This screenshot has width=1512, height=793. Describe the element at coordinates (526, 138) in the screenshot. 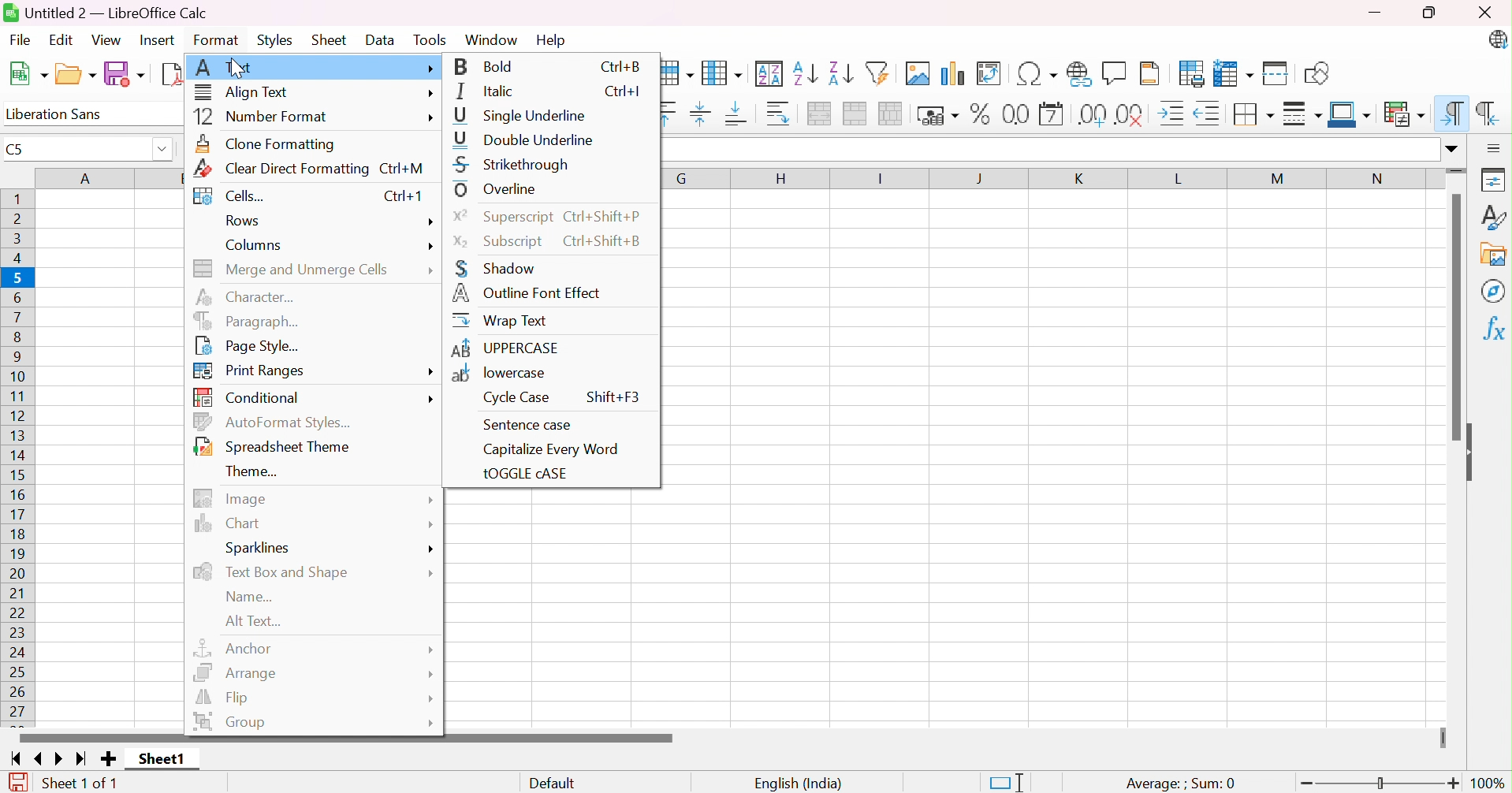

I see `Double Underline` at that location.